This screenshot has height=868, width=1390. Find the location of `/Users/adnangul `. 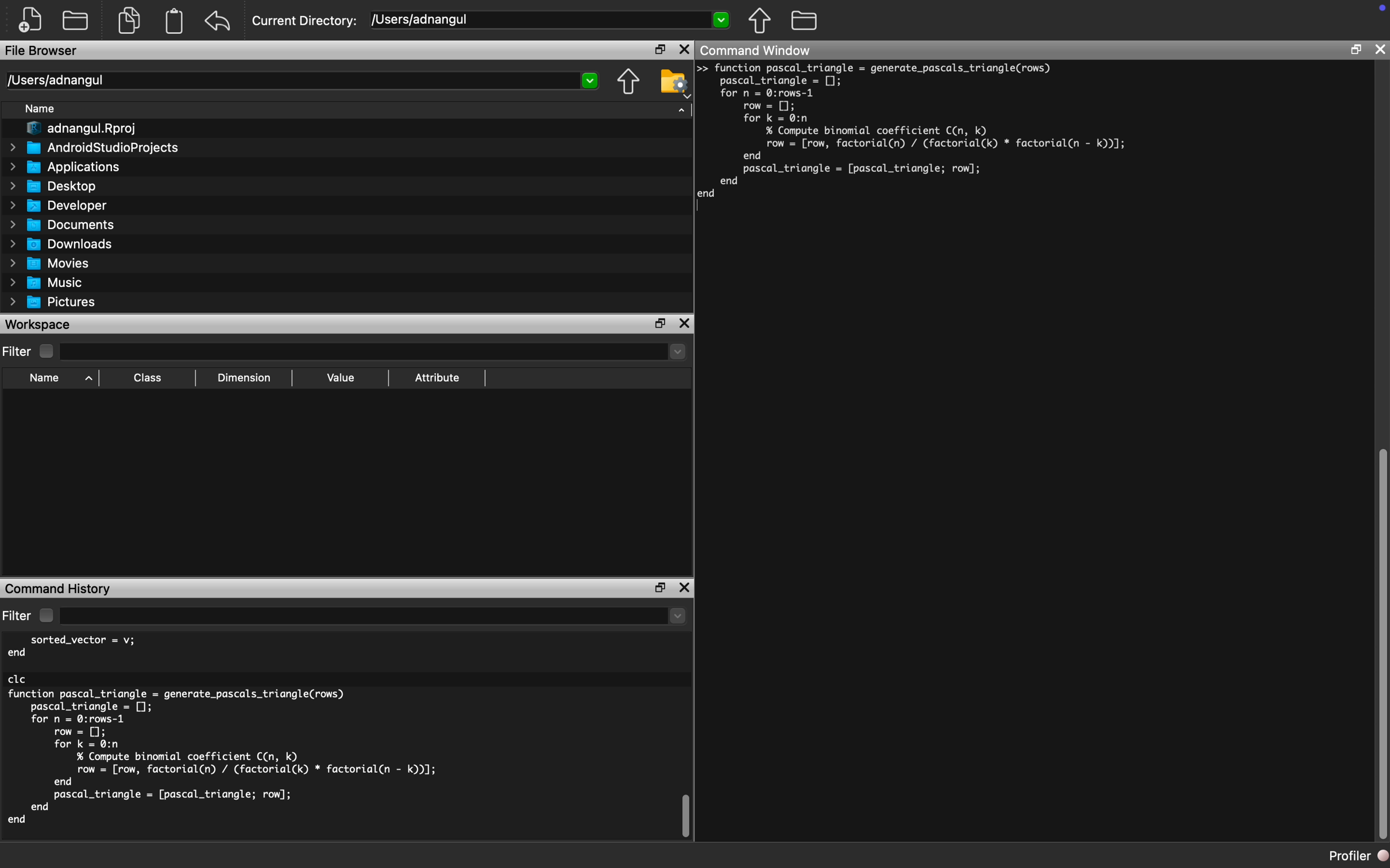

/Users/adnangul  is located at coordinates (300, 81).